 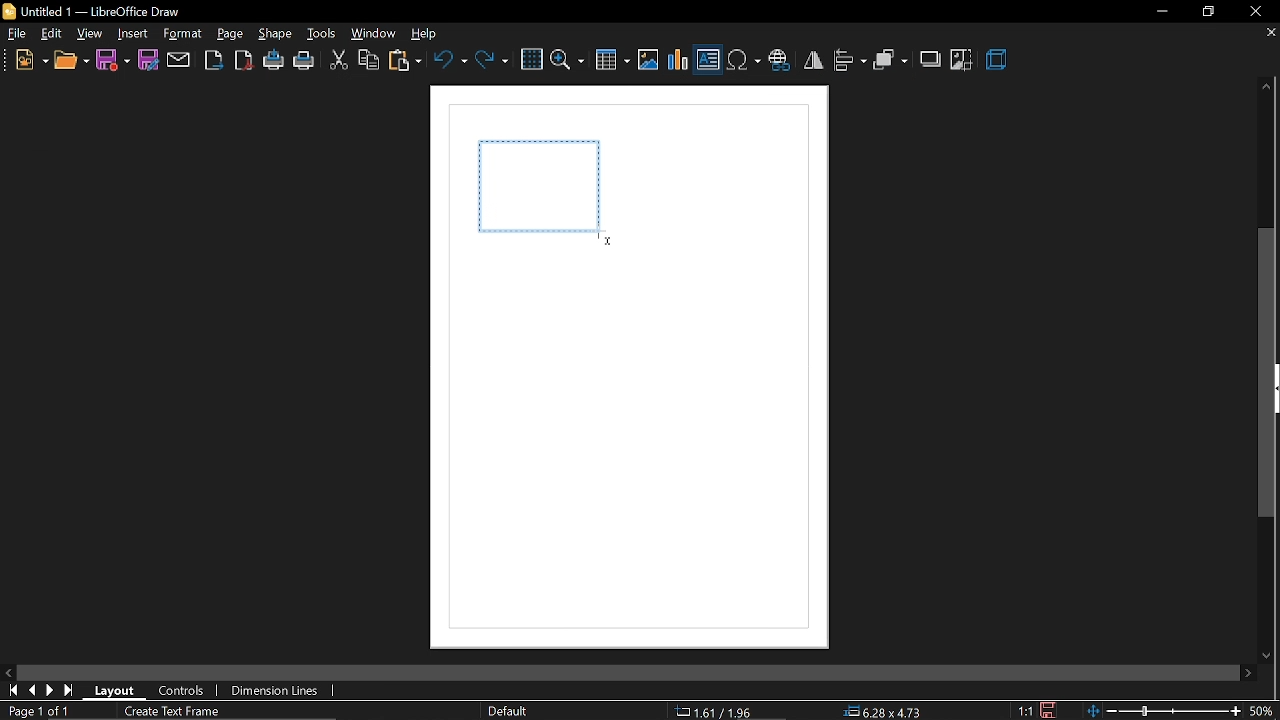 I want to click on align, so click(x=850, y=60).